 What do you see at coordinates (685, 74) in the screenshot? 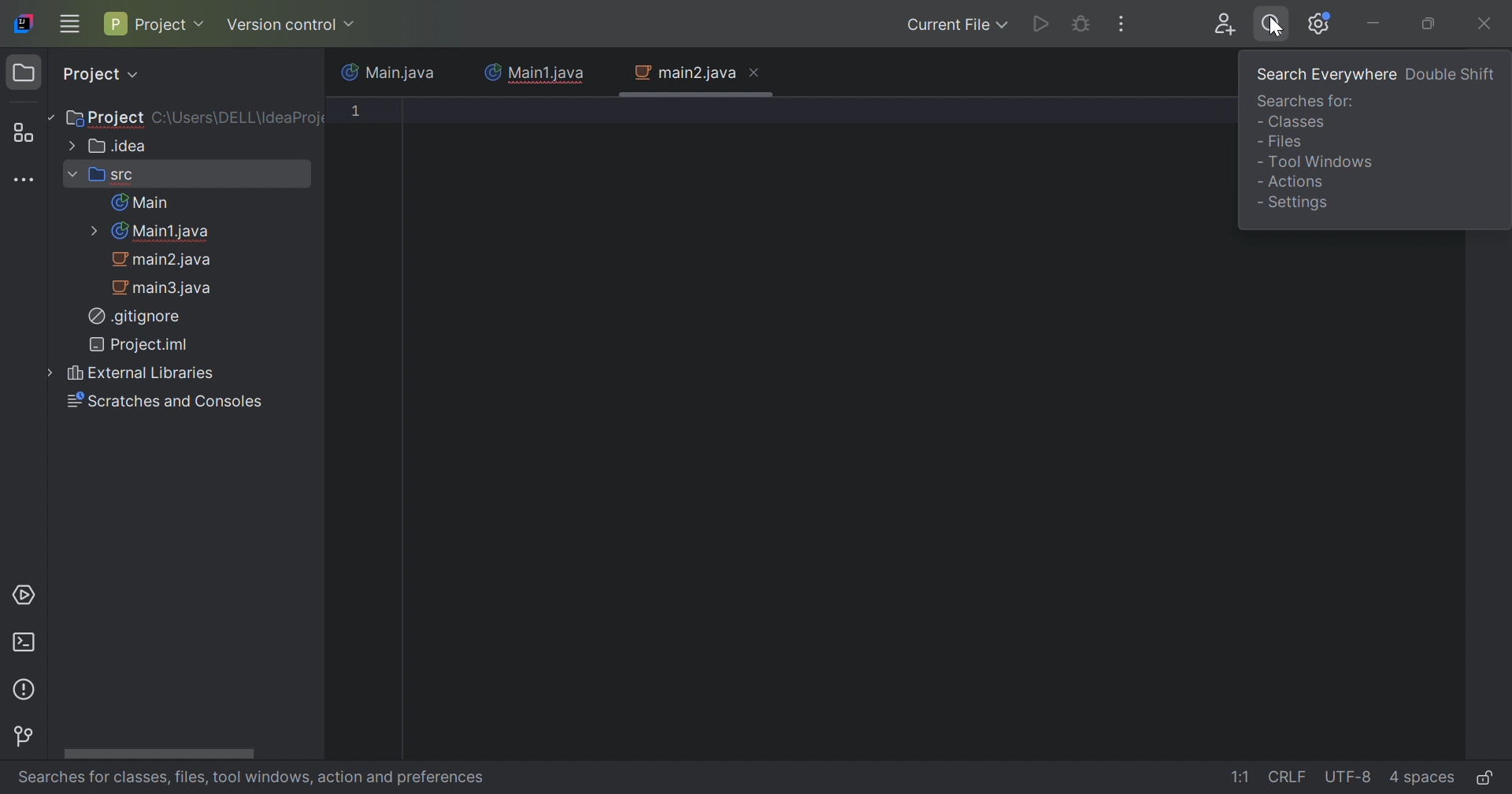
I see `main2.java` at bounding box center [685, 74].